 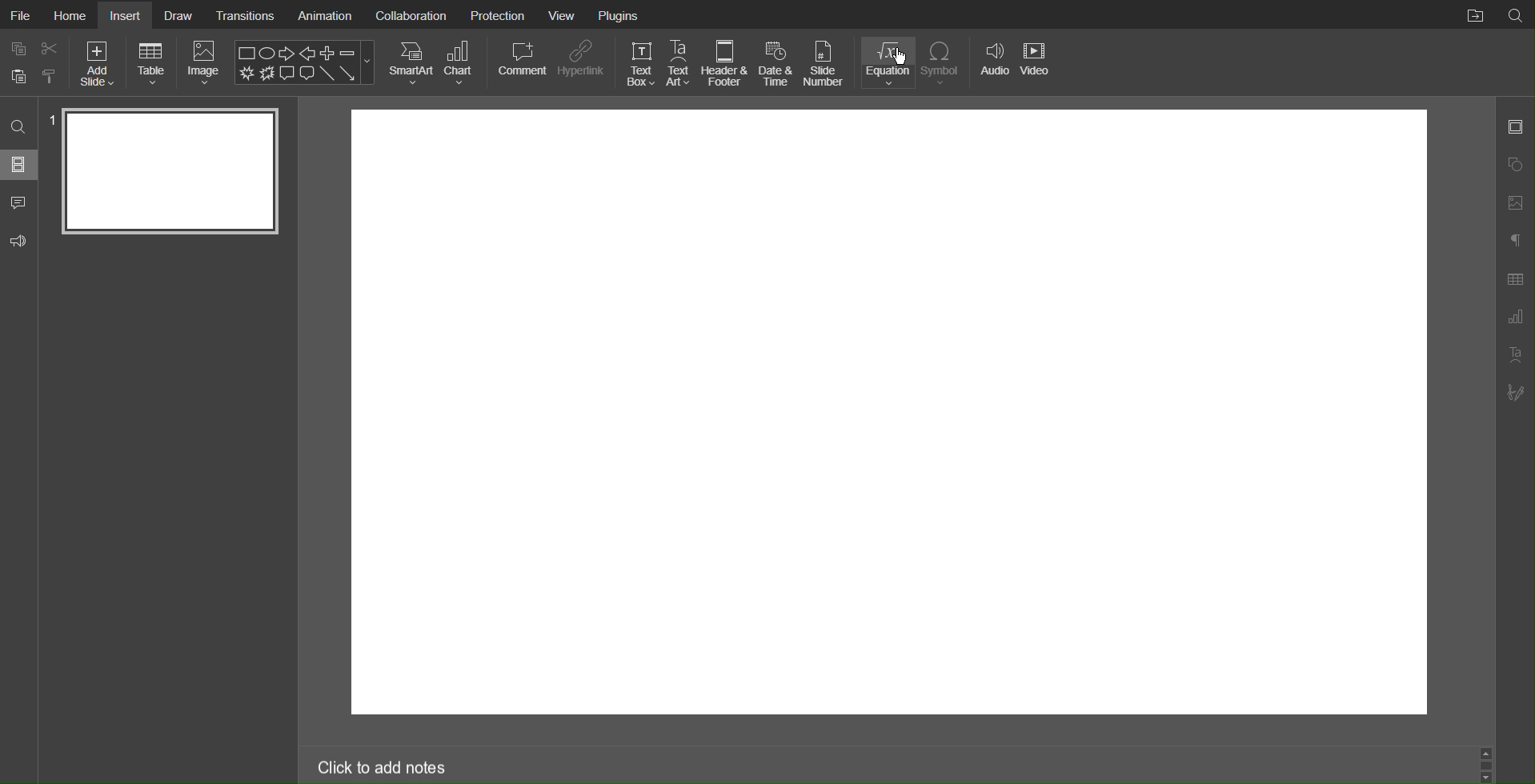 I want to click on Search, so click(x=1516, y=15).